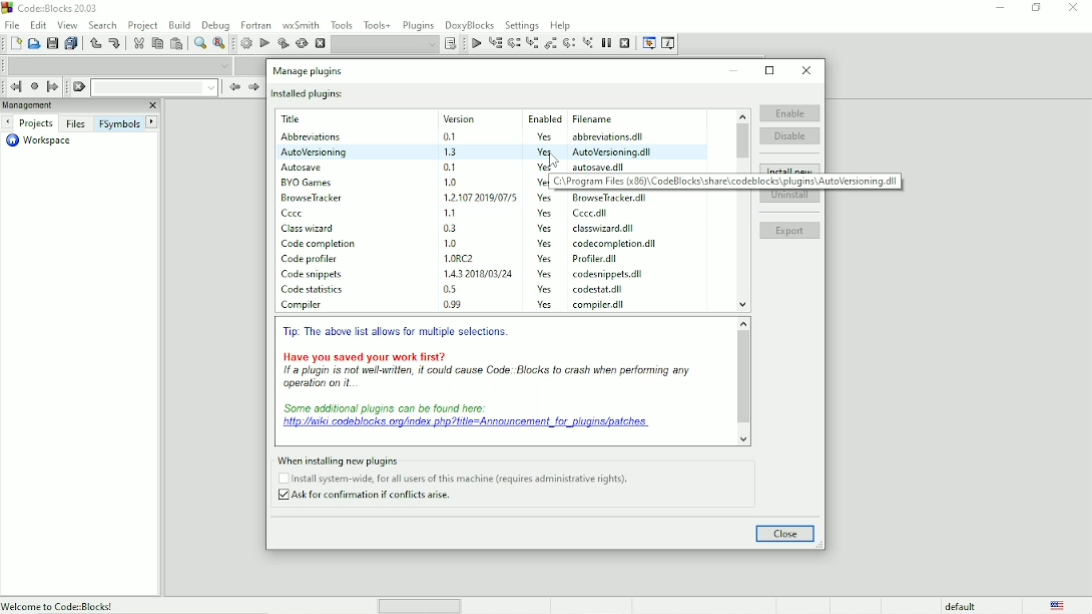 The height and width of the screenshot is (614, 1092). What do you see at coordinates (114, 43) in the screenshot?
I see `Redo` at bounding box center [114, 43].